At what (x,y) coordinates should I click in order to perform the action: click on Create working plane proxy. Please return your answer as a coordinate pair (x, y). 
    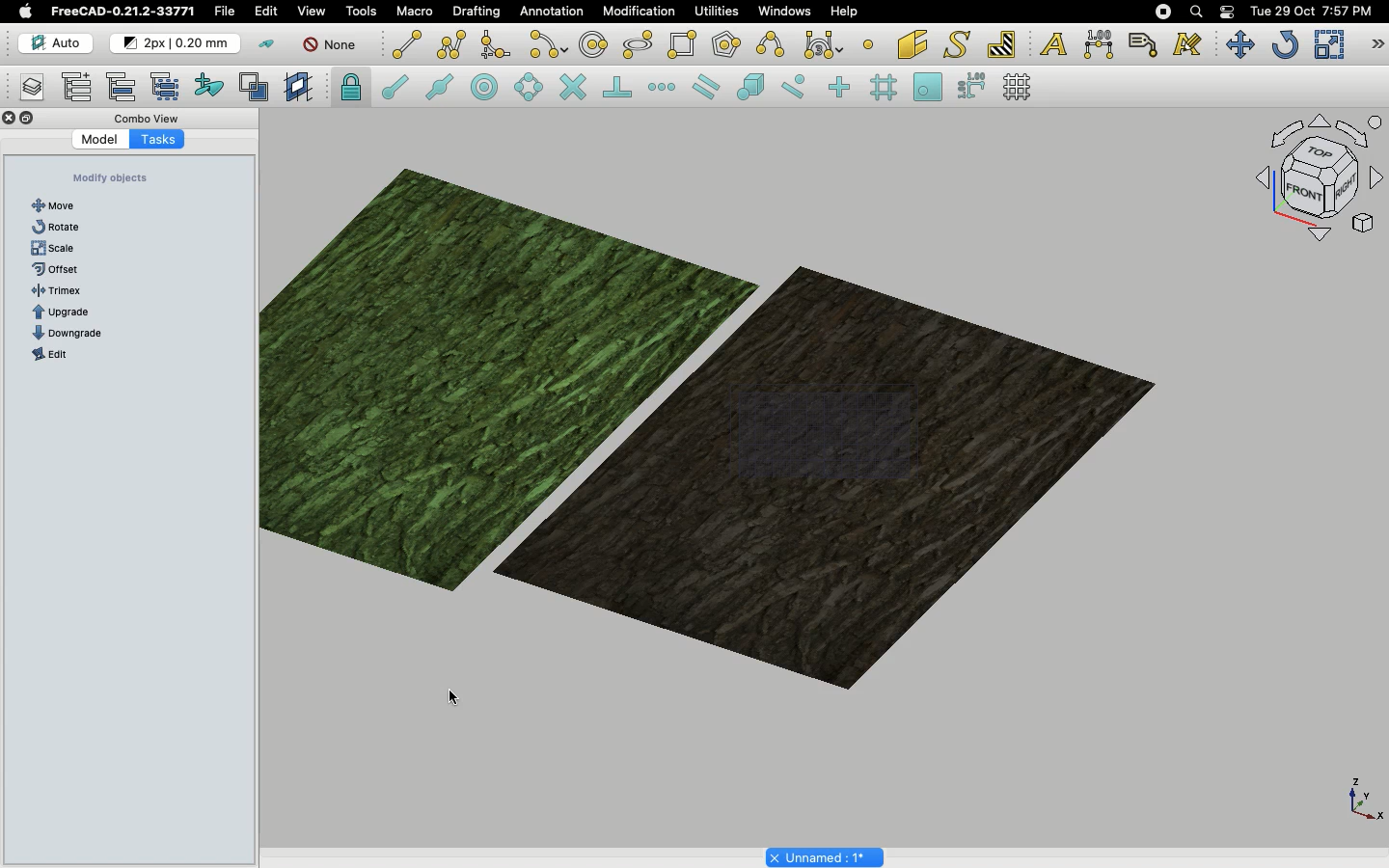
    Looking at the image, I should click on (301, 88).